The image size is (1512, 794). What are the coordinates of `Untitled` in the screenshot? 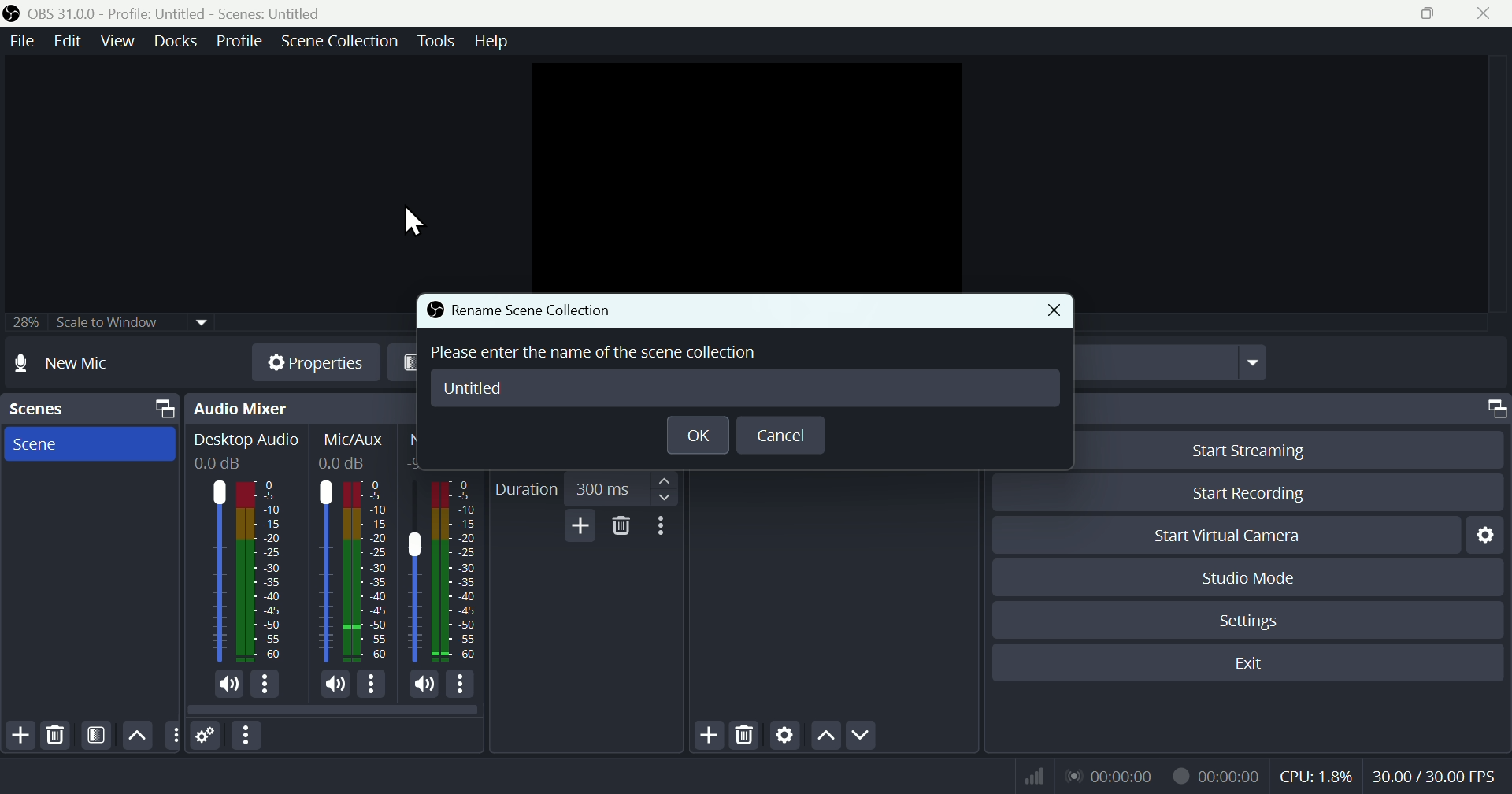 It's located at (472, 390).